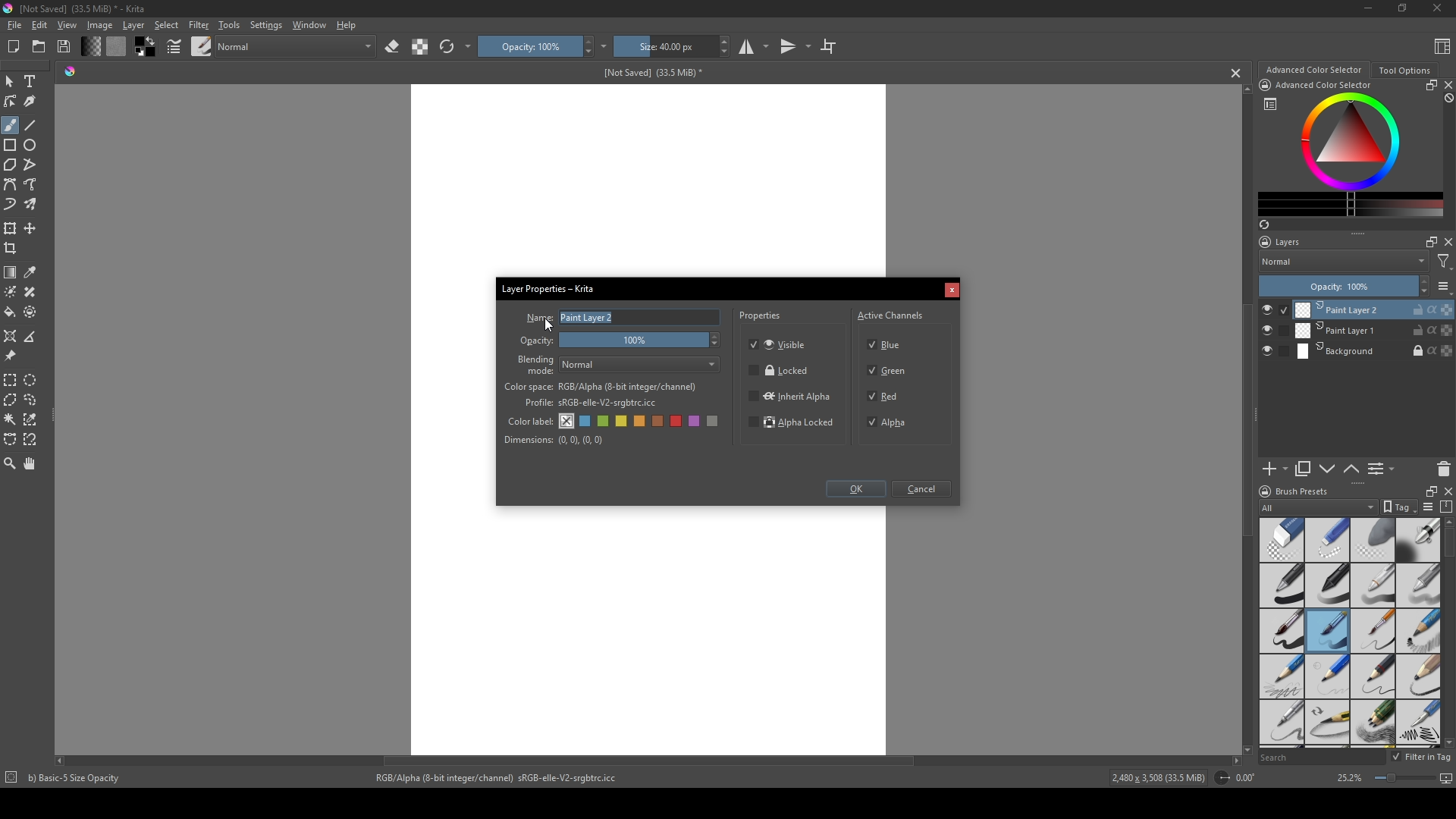  What do you see at coordinates (1236, 761) in the screenshot?
I see `scroll right` at bounding box center [1236, 761].